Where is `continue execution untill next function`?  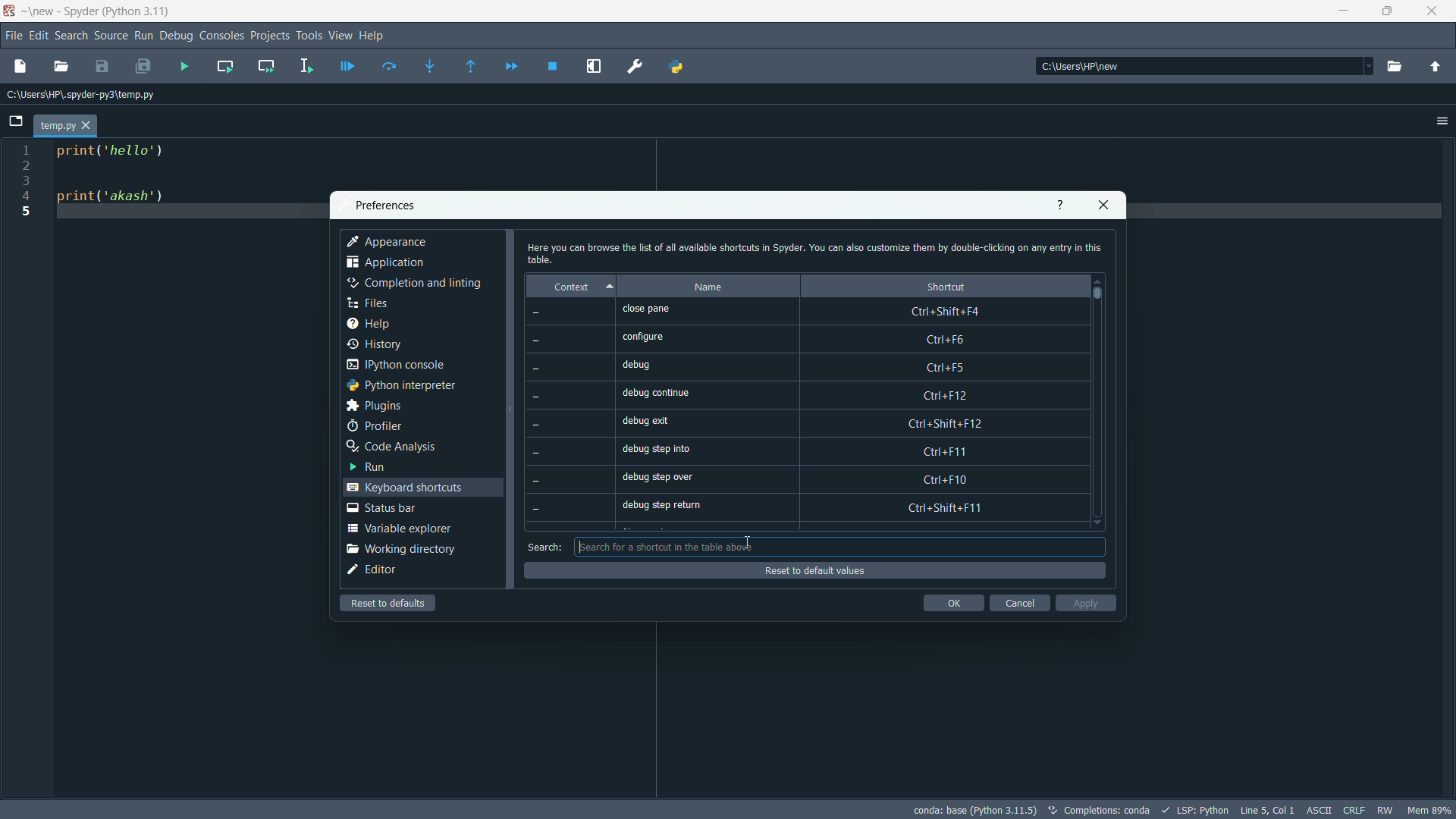 continue execution untill next function is located at coordinates (472, 65).